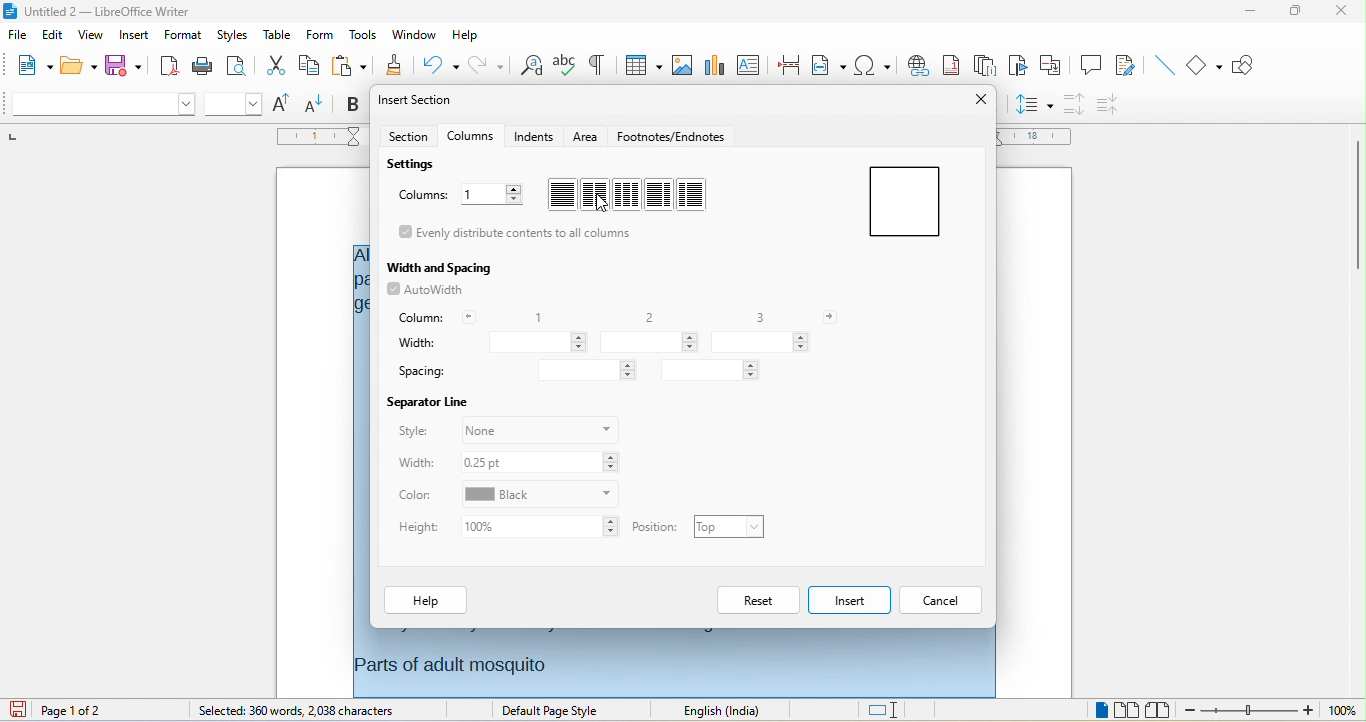 The width and height of the screenshot is (1366, 722). I want to click on insert, so click(134, 34).